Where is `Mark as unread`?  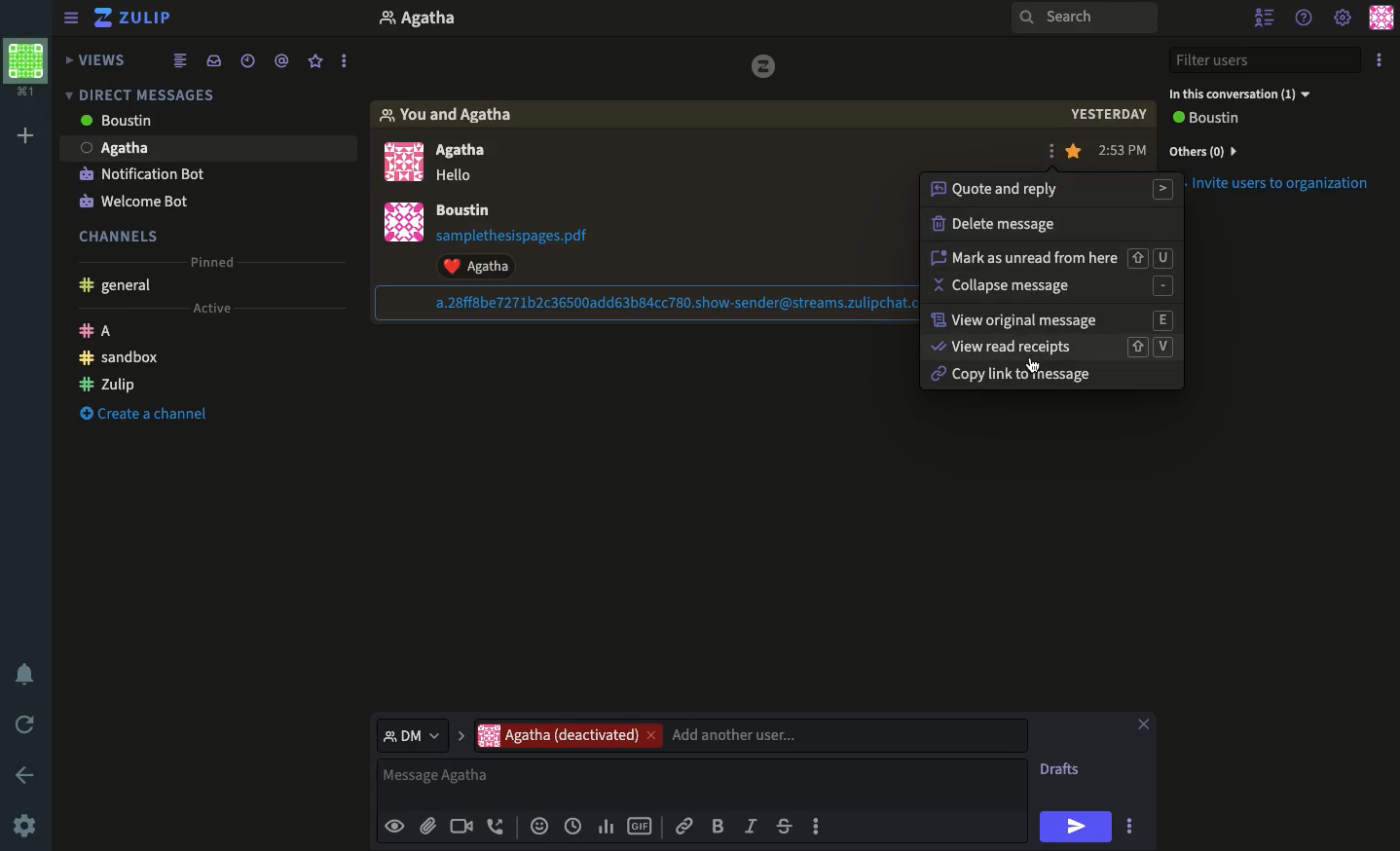 Mark as unread is located at coordinates (1051, 257).